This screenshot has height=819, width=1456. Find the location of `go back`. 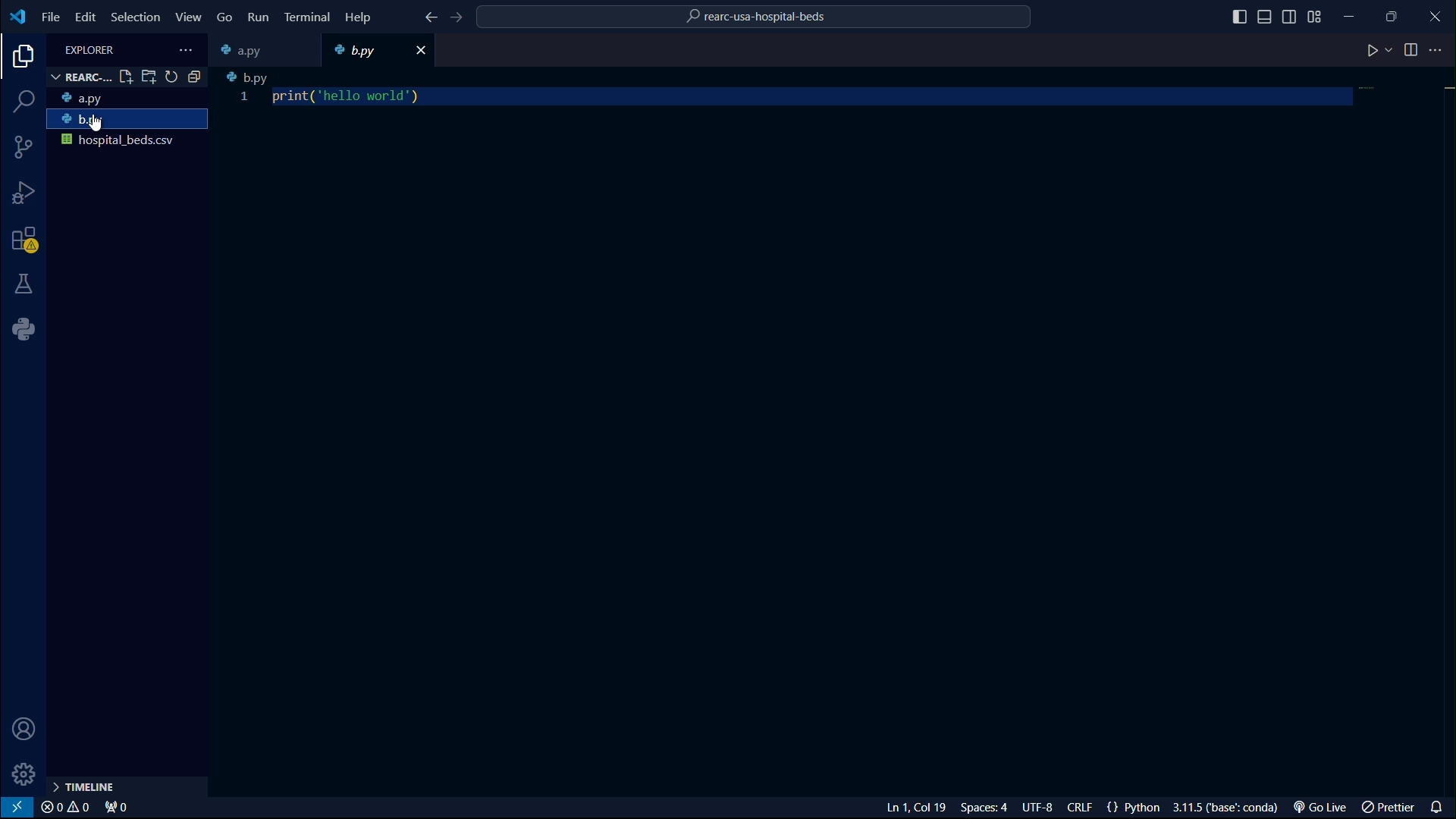

go back is located at coordinates (430, 18).